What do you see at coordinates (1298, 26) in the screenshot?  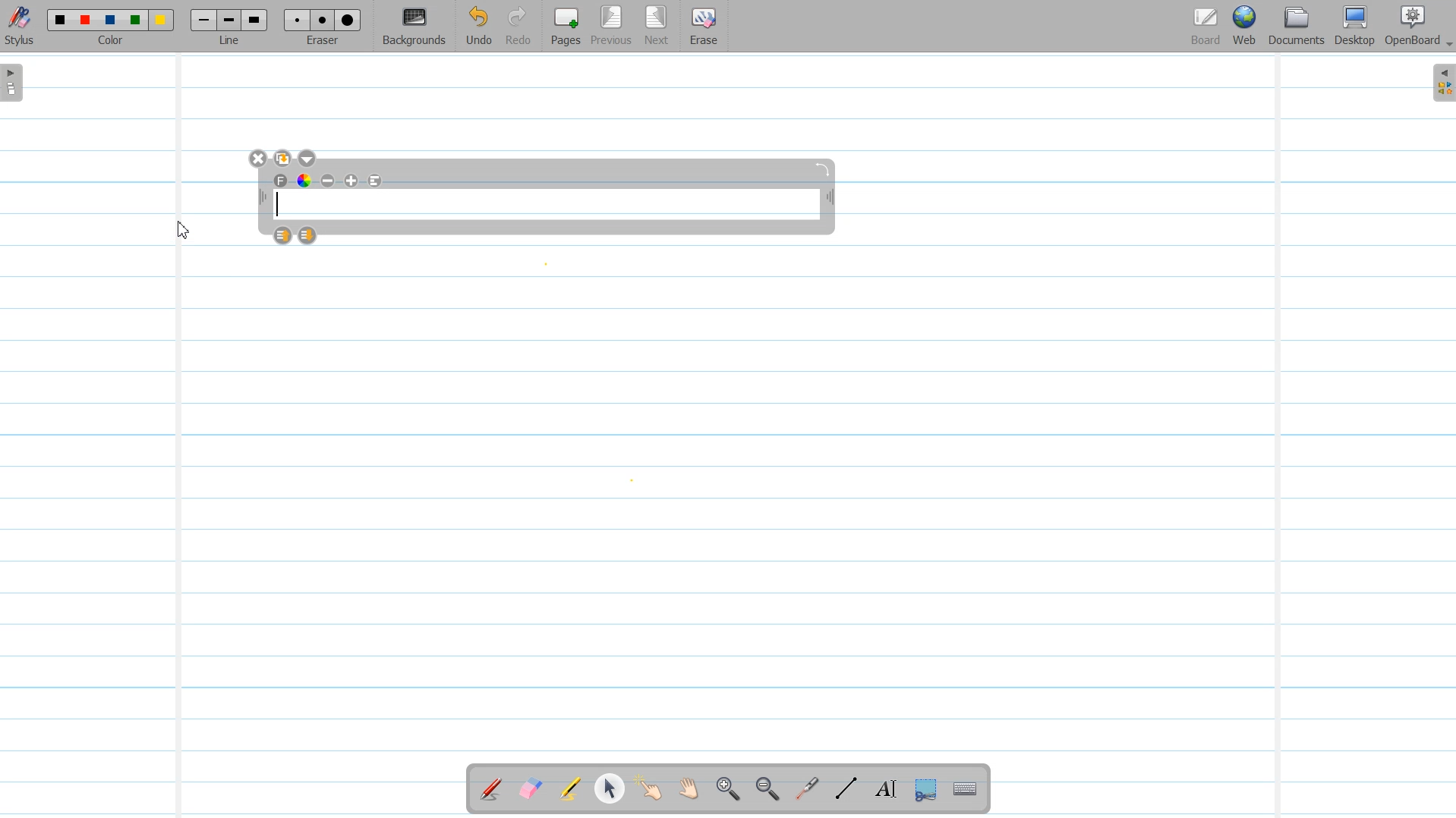 I see `Document` at bounding box center [1298, 26].